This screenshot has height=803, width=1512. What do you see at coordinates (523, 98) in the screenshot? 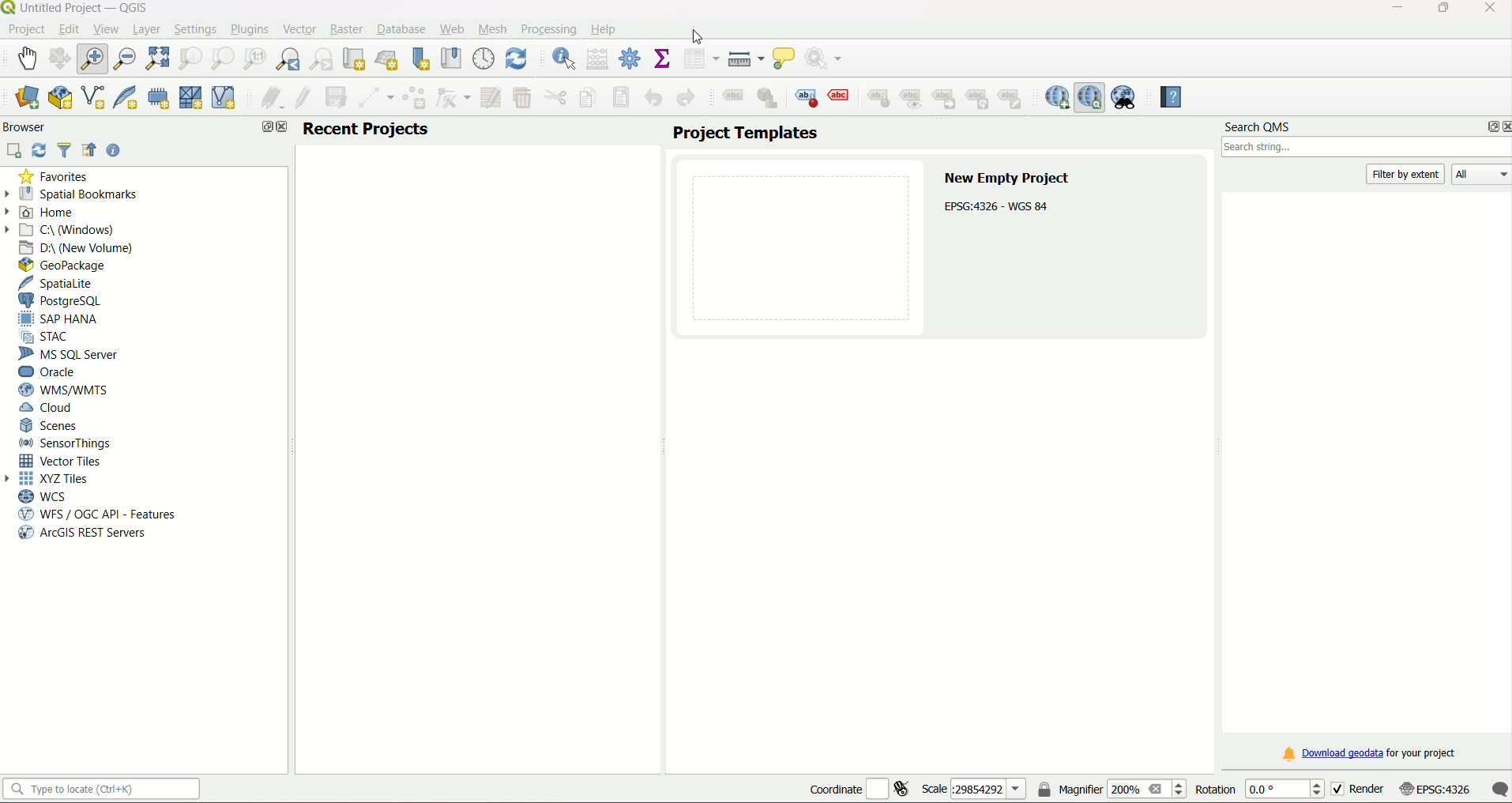
I see `delete selected` at bounding box center [523, 98].